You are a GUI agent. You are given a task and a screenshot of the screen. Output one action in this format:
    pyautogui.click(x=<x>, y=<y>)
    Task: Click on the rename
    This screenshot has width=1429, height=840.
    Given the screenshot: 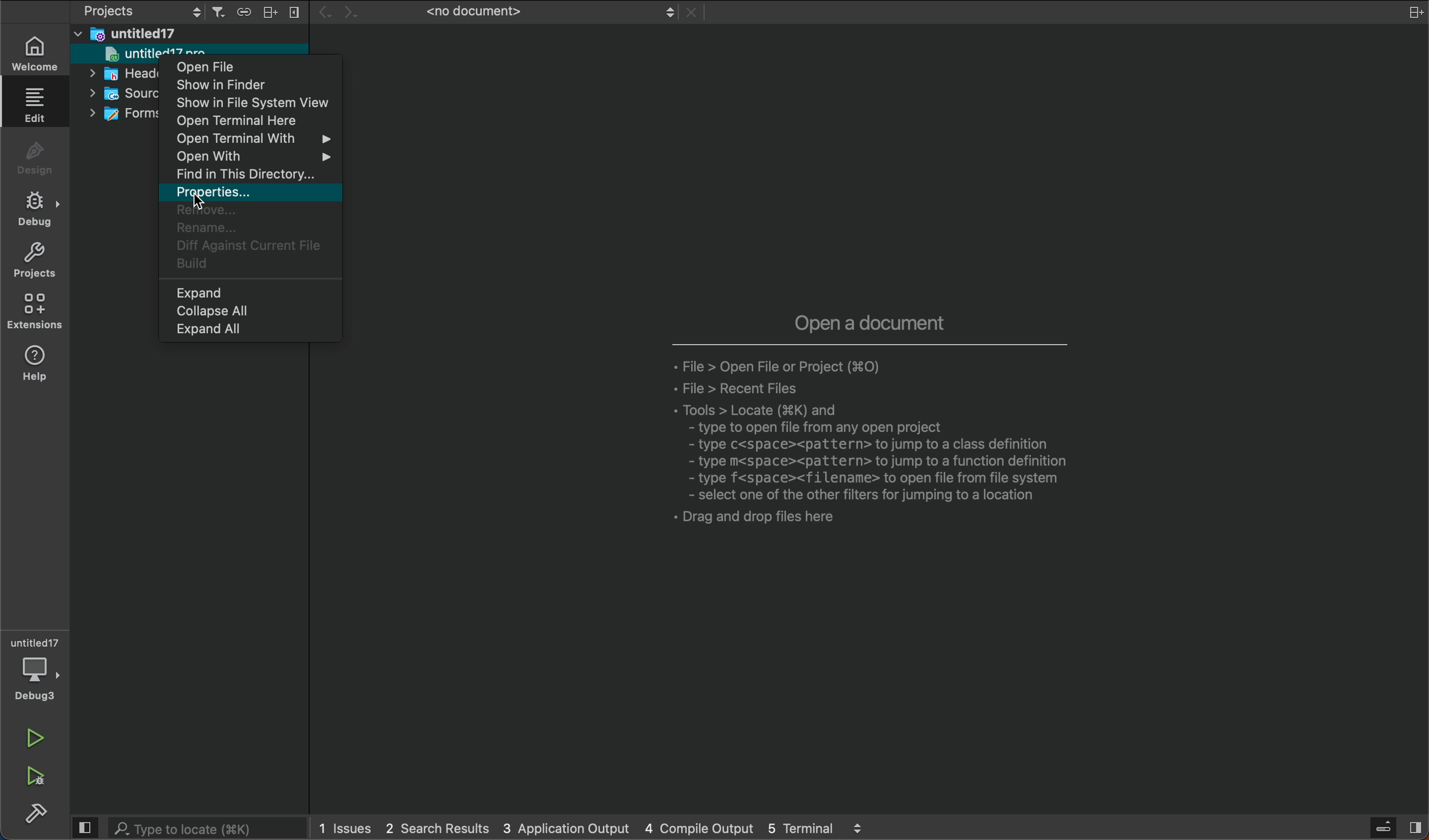 What is the action you would take?
    pyautogui.click(x=250, y=227)
    